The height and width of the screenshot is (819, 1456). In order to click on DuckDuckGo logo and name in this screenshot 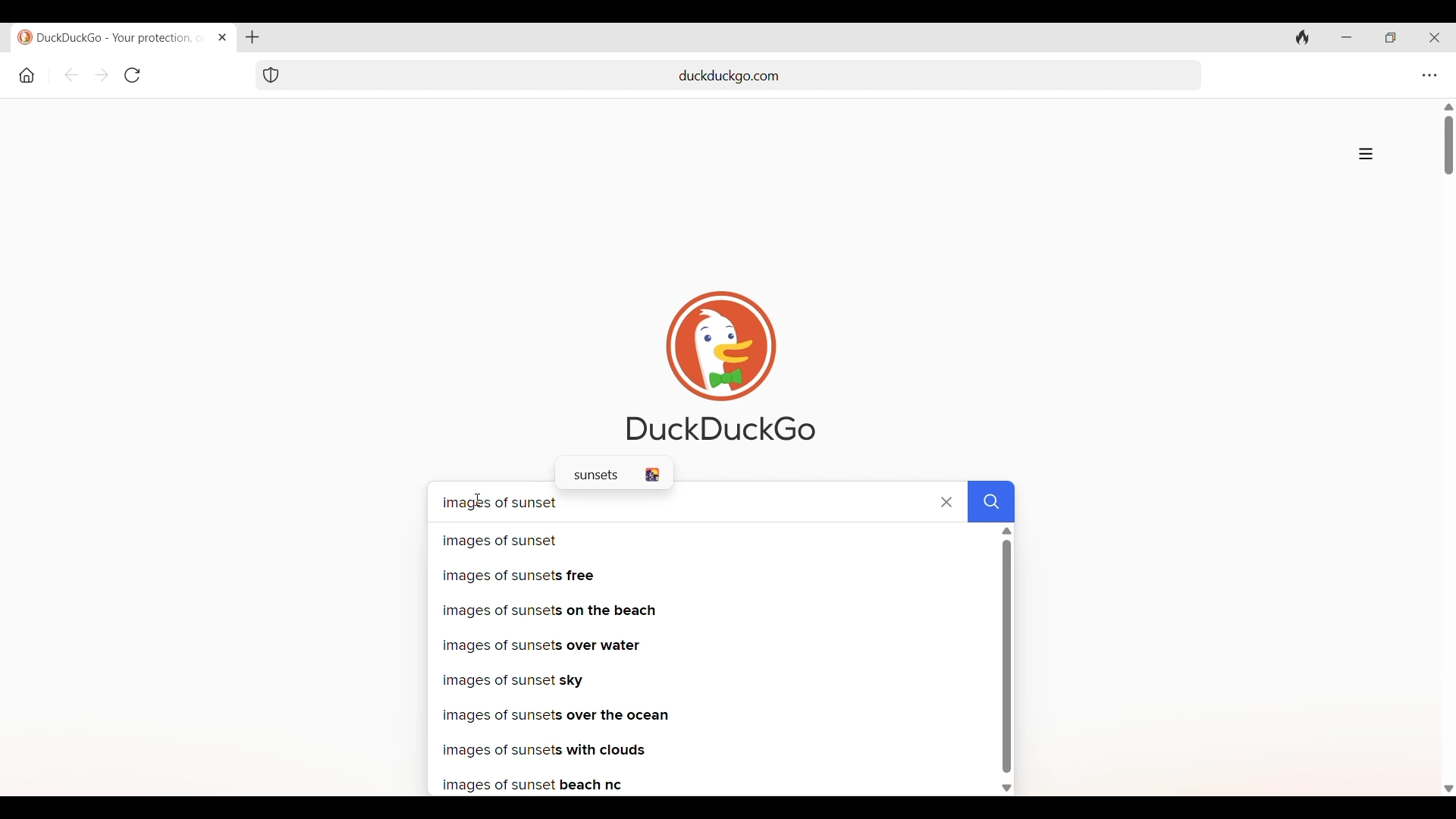, I will do `click(721, 366)`.